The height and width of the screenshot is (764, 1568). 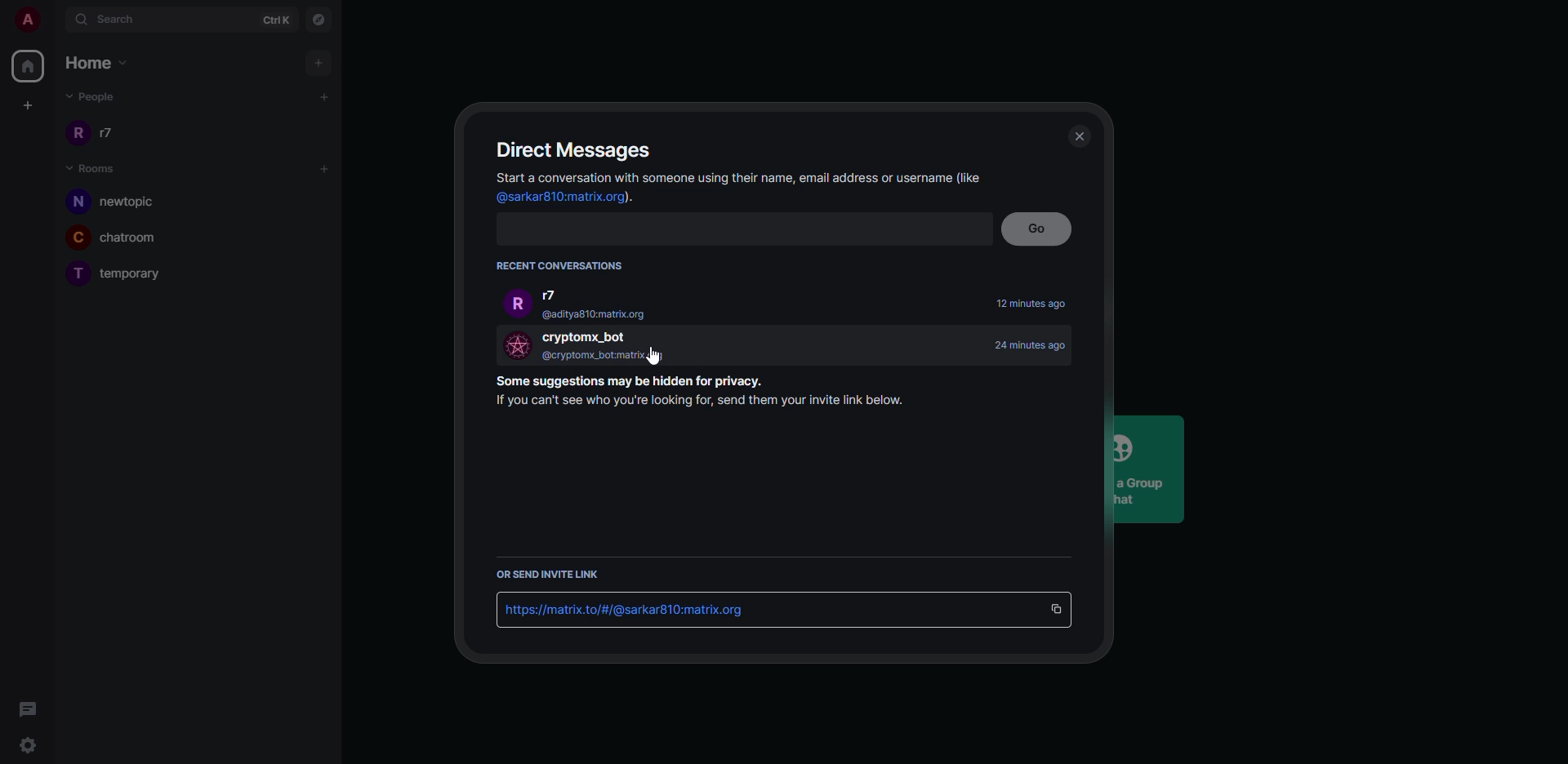 I want to click on people, so click(x=95, y=98).